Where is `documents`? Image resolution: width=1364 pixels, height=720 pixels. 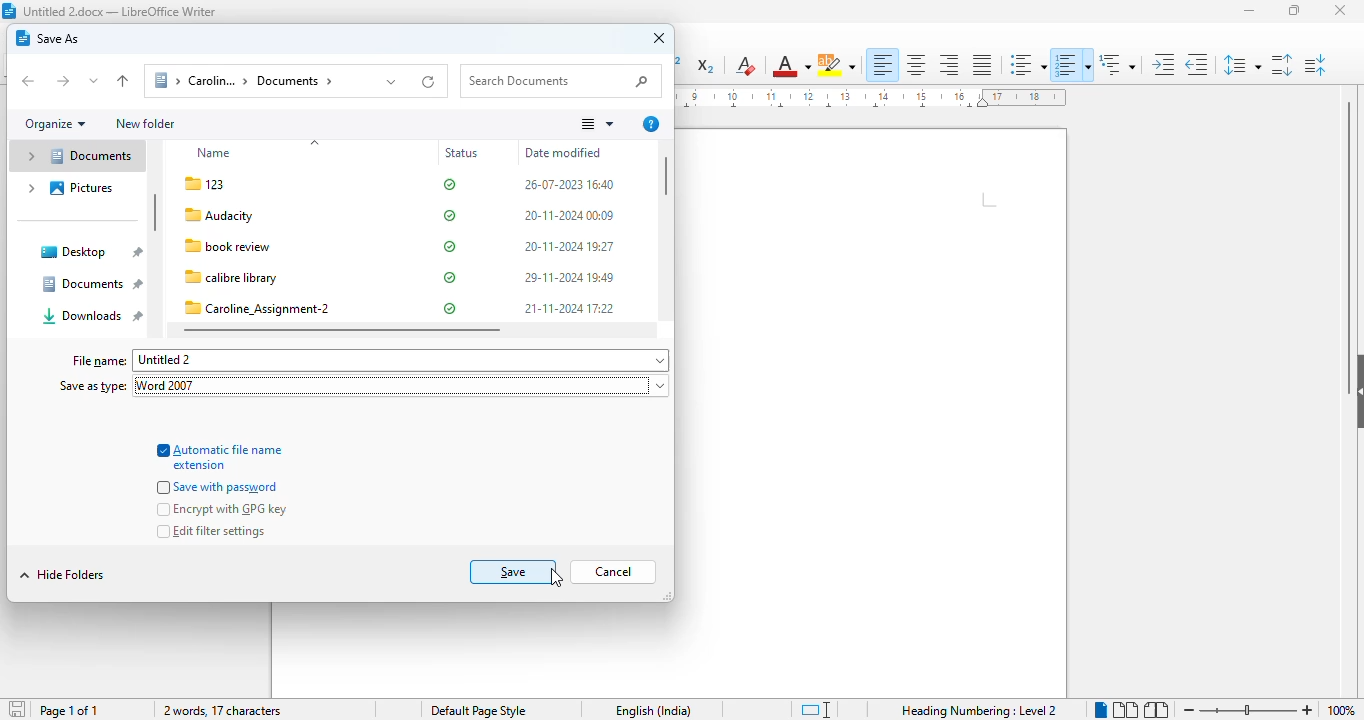
documents is located at coordinates (256, 81).